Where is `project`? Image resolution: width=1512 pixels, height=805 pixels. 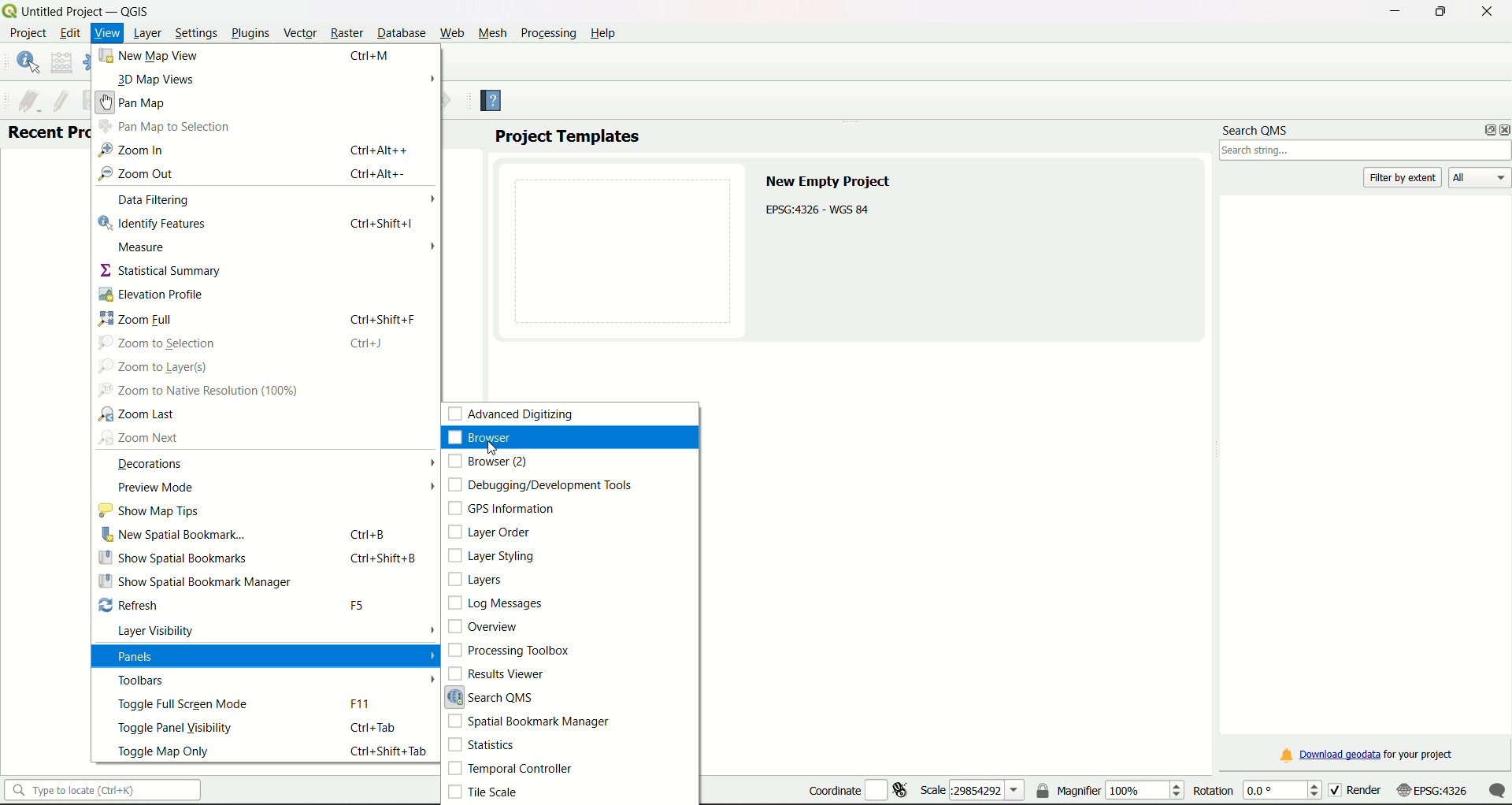
project is located at coordinates (29, 35).